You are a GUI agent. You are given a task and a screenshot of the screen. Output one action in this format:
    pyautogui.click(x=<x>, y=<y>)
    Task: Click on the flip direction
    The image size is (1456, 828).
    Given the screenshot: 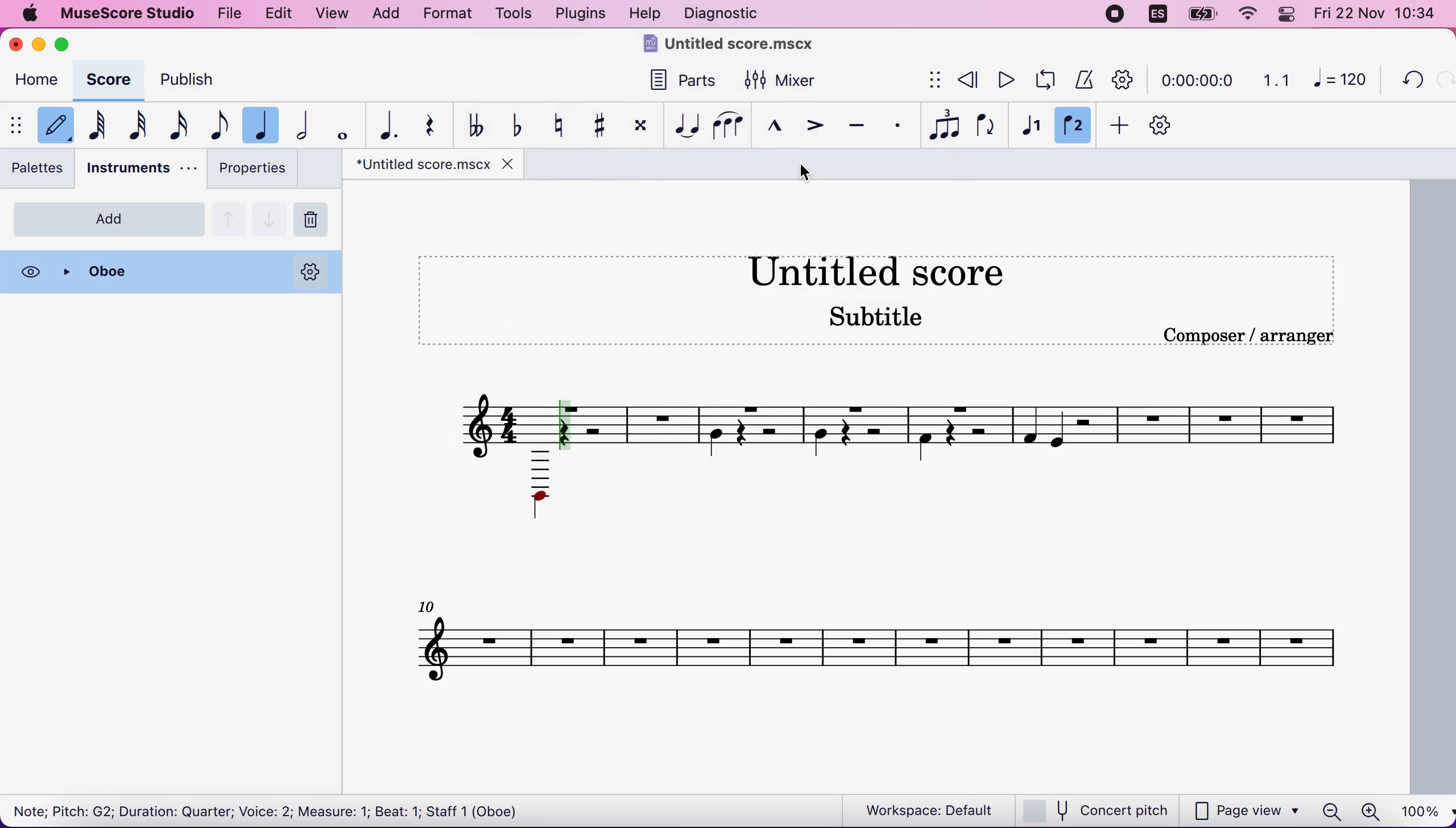 What is the action you would take?
    pyautogui.click(x=984, y=124)
    